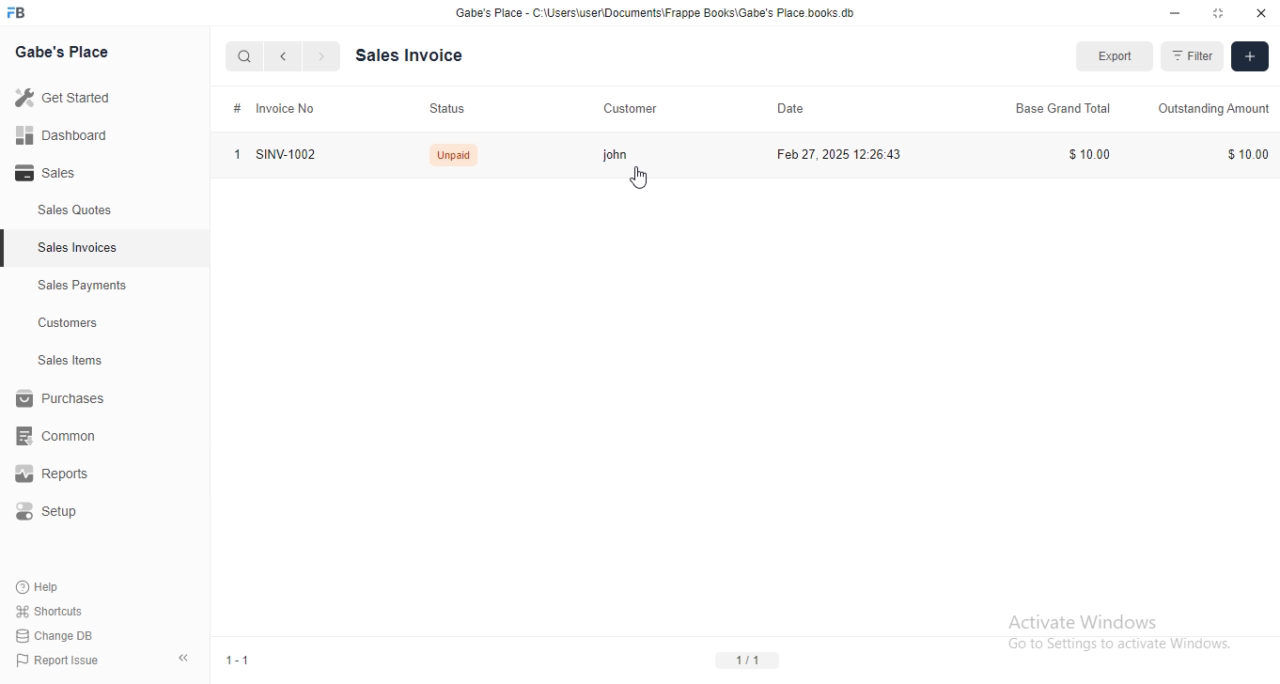 This screenshot has height=684, width=1280. I want to click on change DB, so click(54, 636).